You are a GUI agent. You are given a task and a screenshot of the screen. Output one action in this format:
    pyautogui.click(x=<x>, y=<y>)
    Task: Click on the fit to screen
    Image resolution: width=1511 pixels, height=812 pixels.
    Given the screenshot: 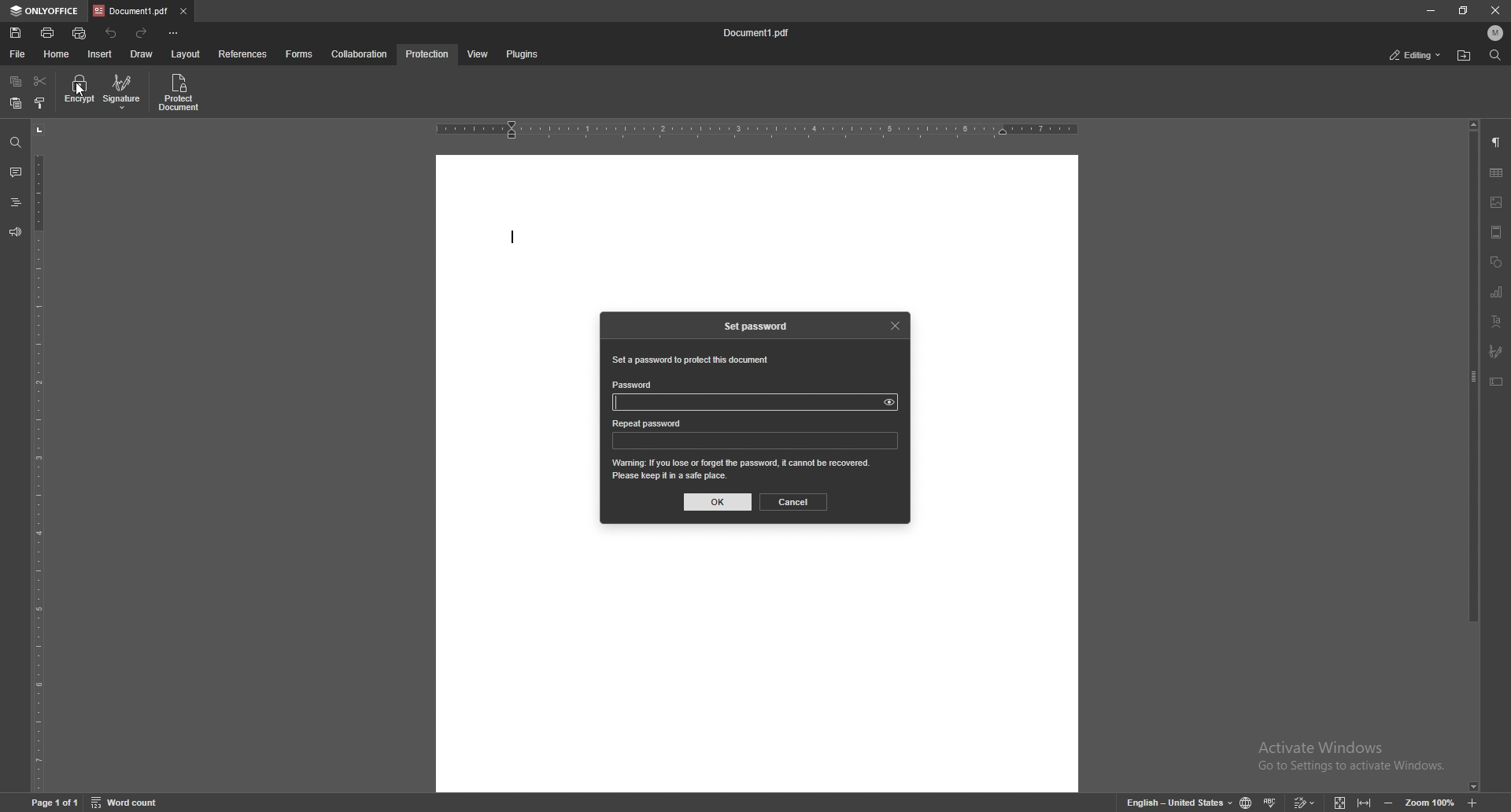 What is the action you would take?
    pyautogui.click(x=1340, y=802)
    